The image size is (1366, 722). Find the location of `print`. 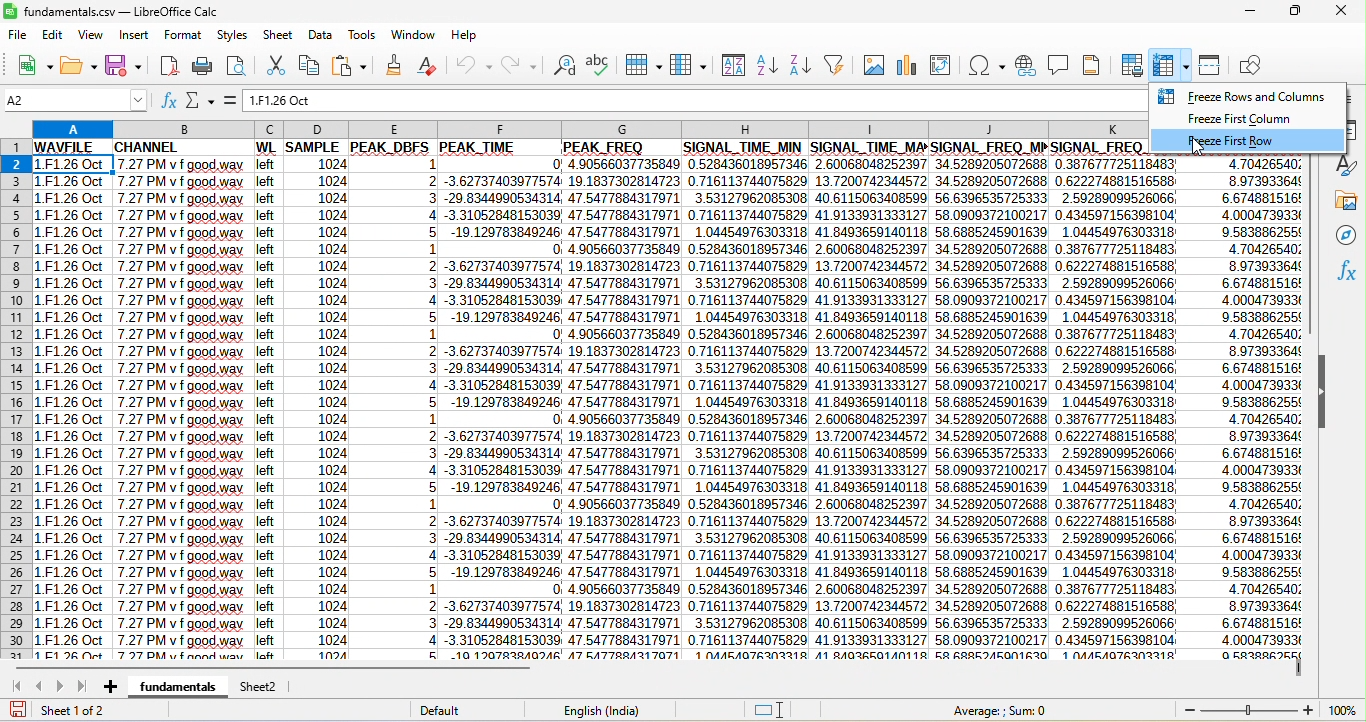

print is located at coordinates (203, 66).